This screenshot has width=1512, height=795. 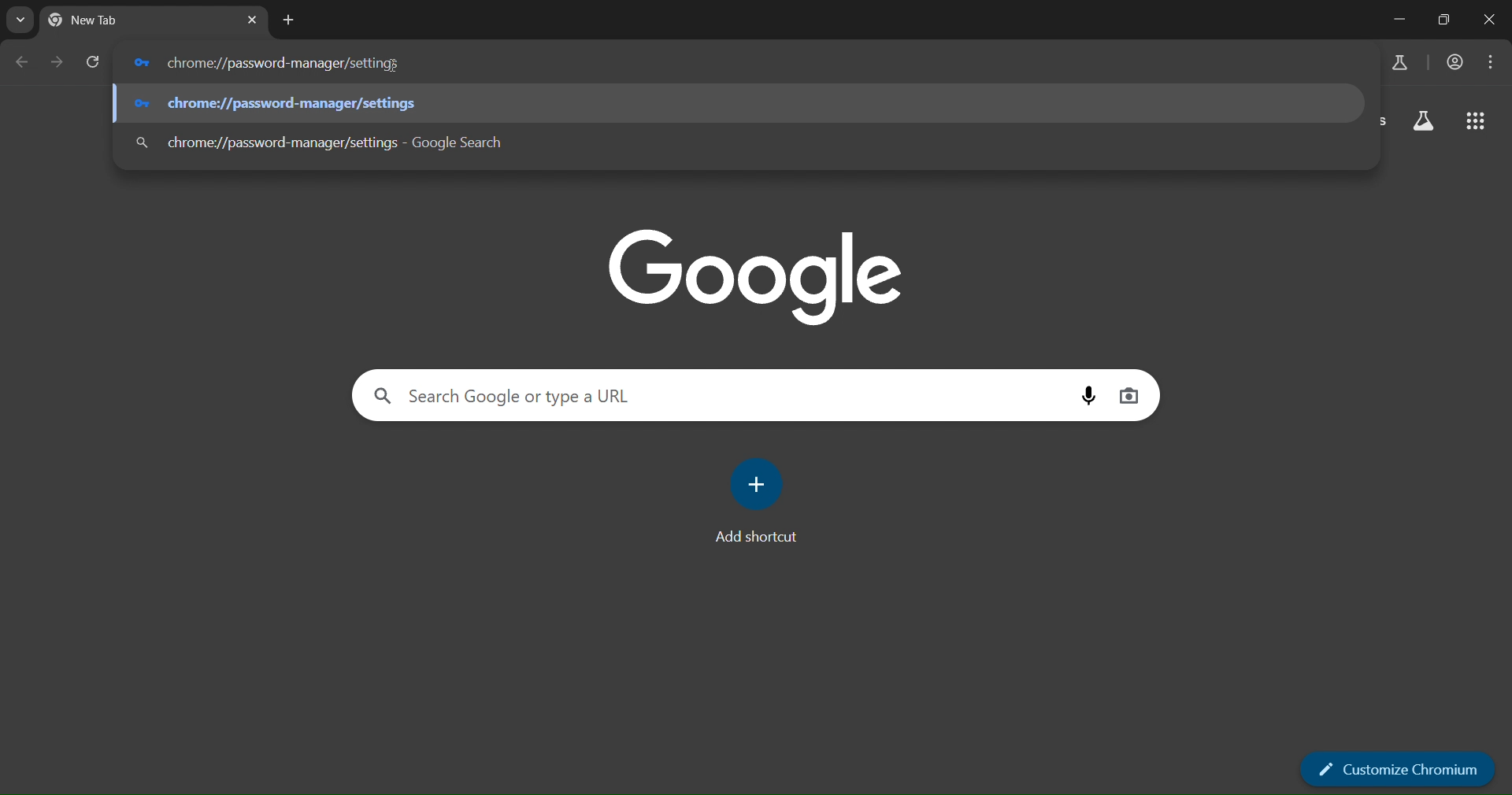 What do you see at coordinates (21, 64) in the screenshot?
I see `go back one page` at bounding box center [21, 64].